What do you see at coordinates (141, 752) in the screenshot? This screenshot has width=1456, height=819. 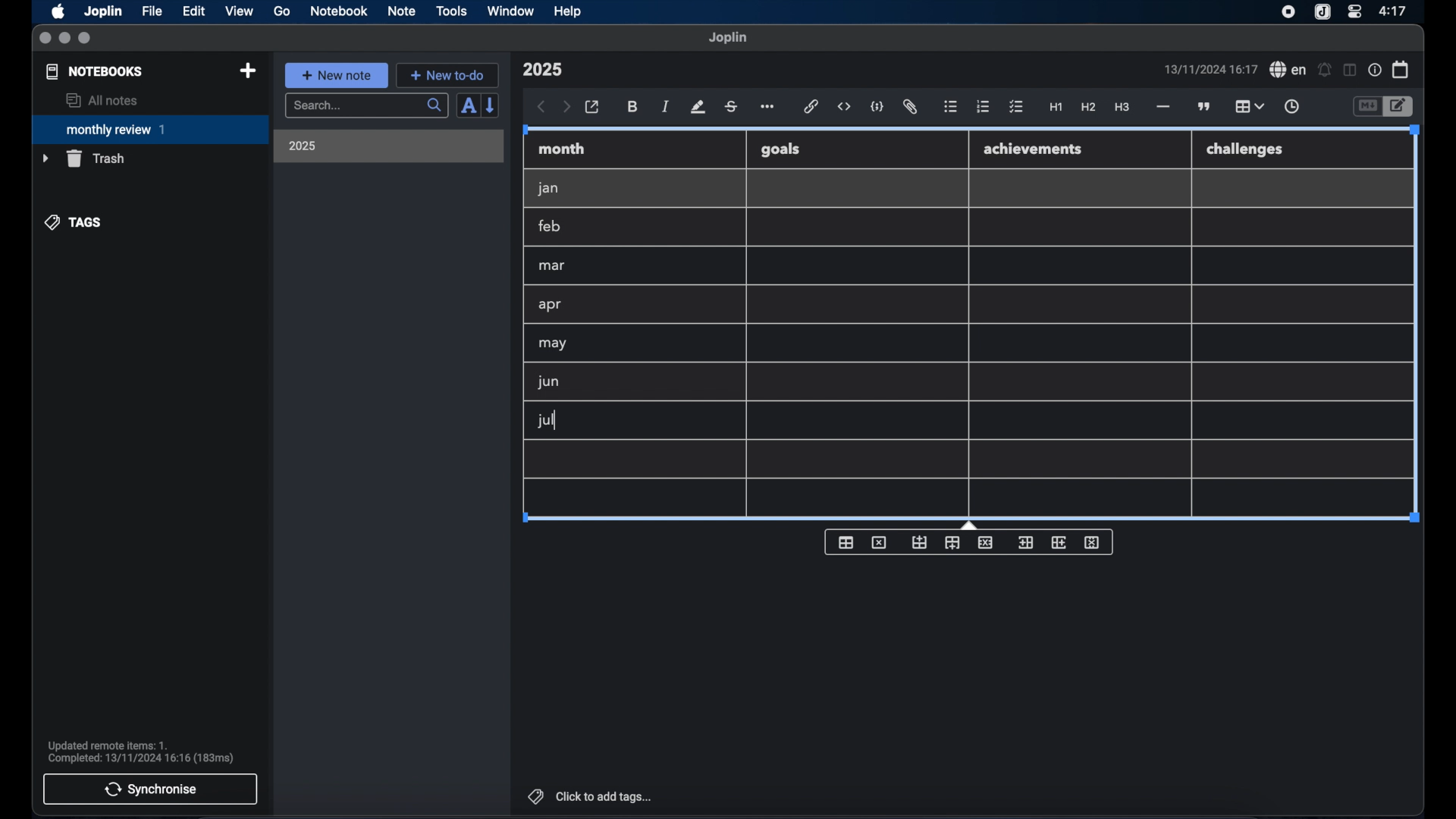 I see `sync notification` at bounding box center [141, 752].